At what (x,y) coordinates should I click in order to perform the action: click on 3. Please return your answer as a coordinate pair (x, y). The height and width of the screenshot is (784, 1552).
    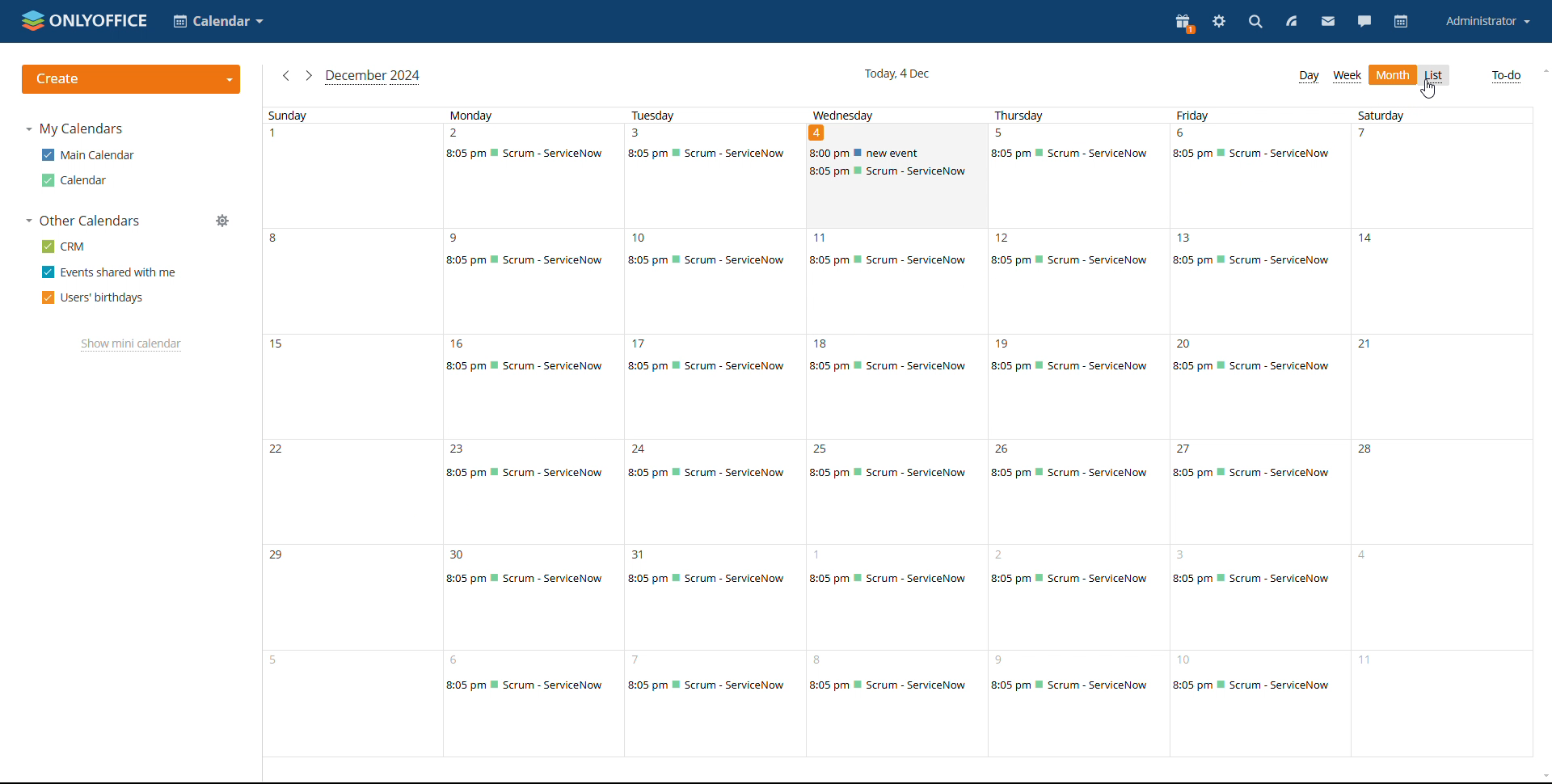
    Looking at the image, I should click on (638, 133).